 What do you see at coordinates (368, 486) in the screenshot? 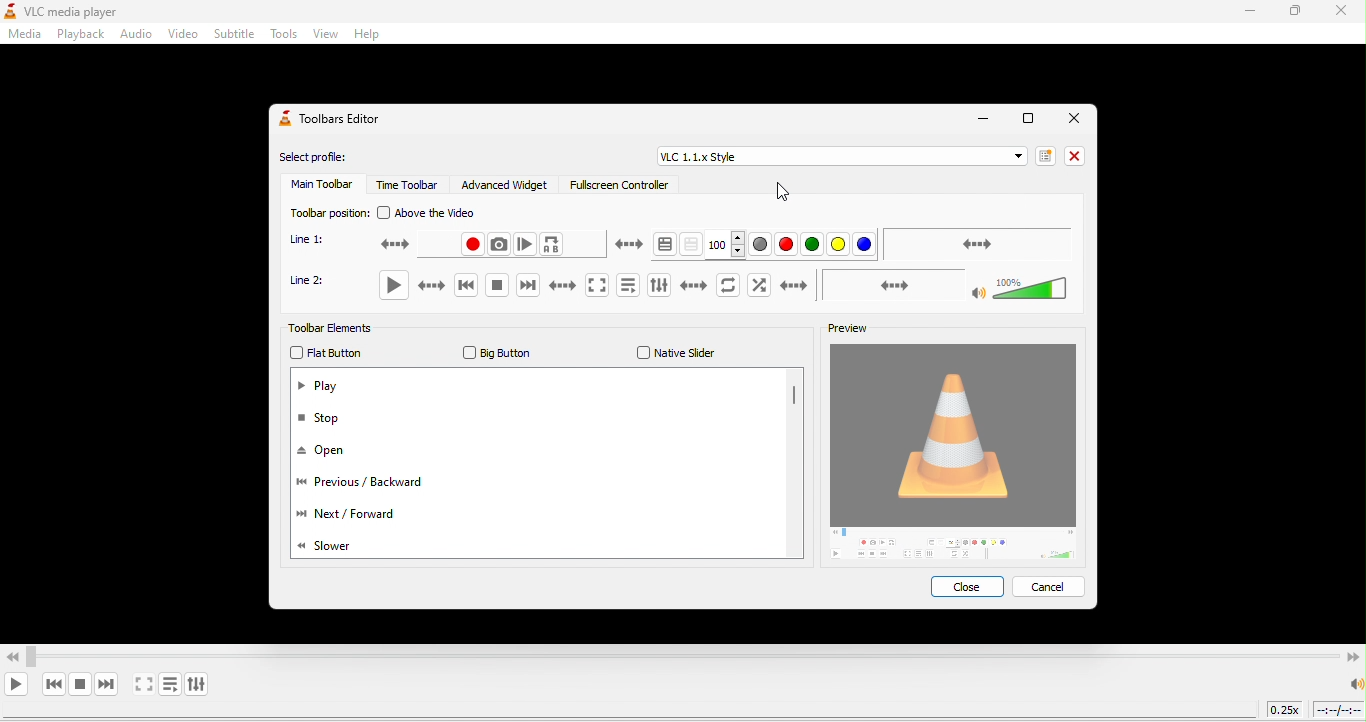
I see `previous/backward` at bounding box center [368, 486].